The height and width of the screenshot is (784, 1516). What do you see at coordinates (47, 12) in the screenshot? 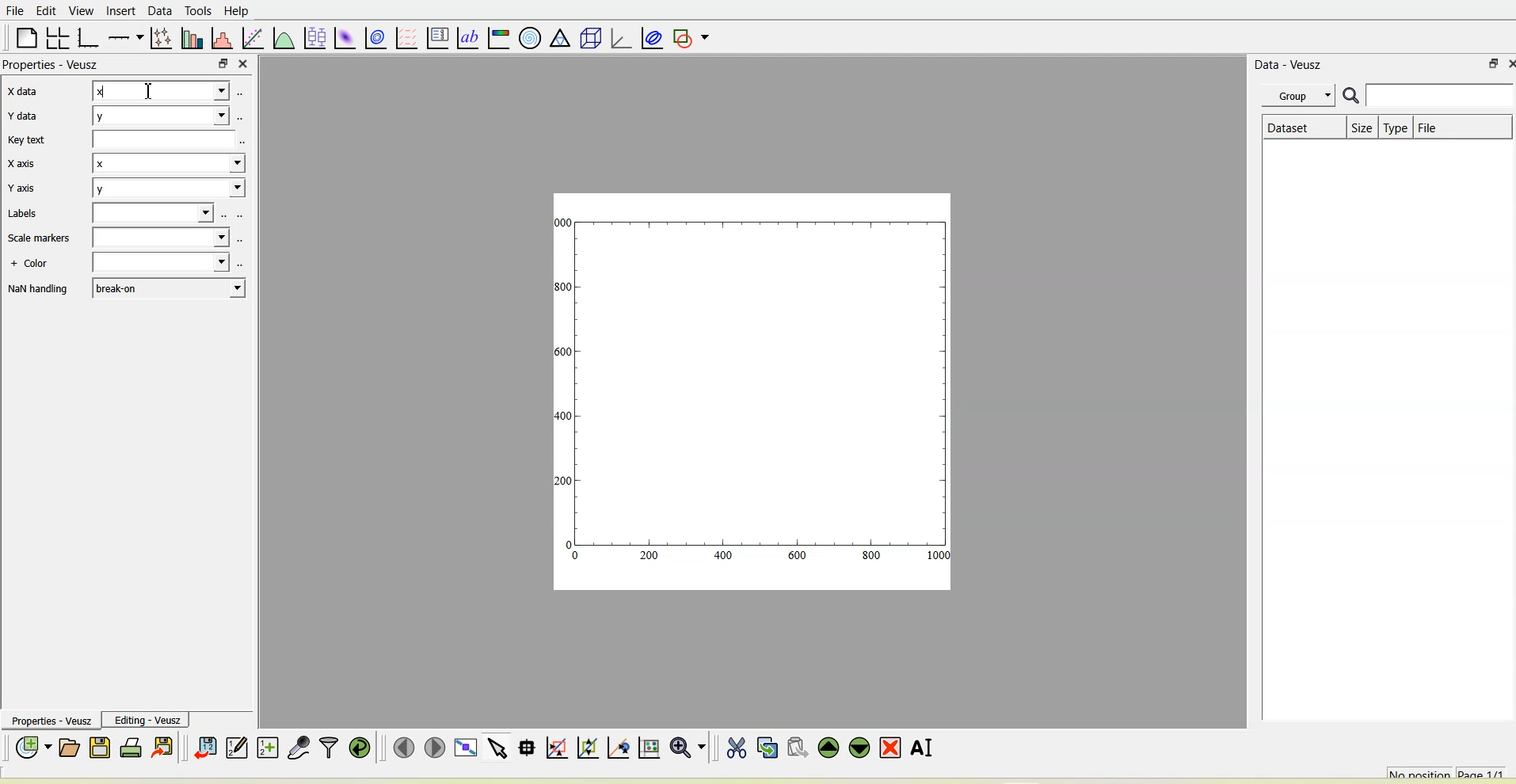
I see `Edit` at bounding box center [47, 12].